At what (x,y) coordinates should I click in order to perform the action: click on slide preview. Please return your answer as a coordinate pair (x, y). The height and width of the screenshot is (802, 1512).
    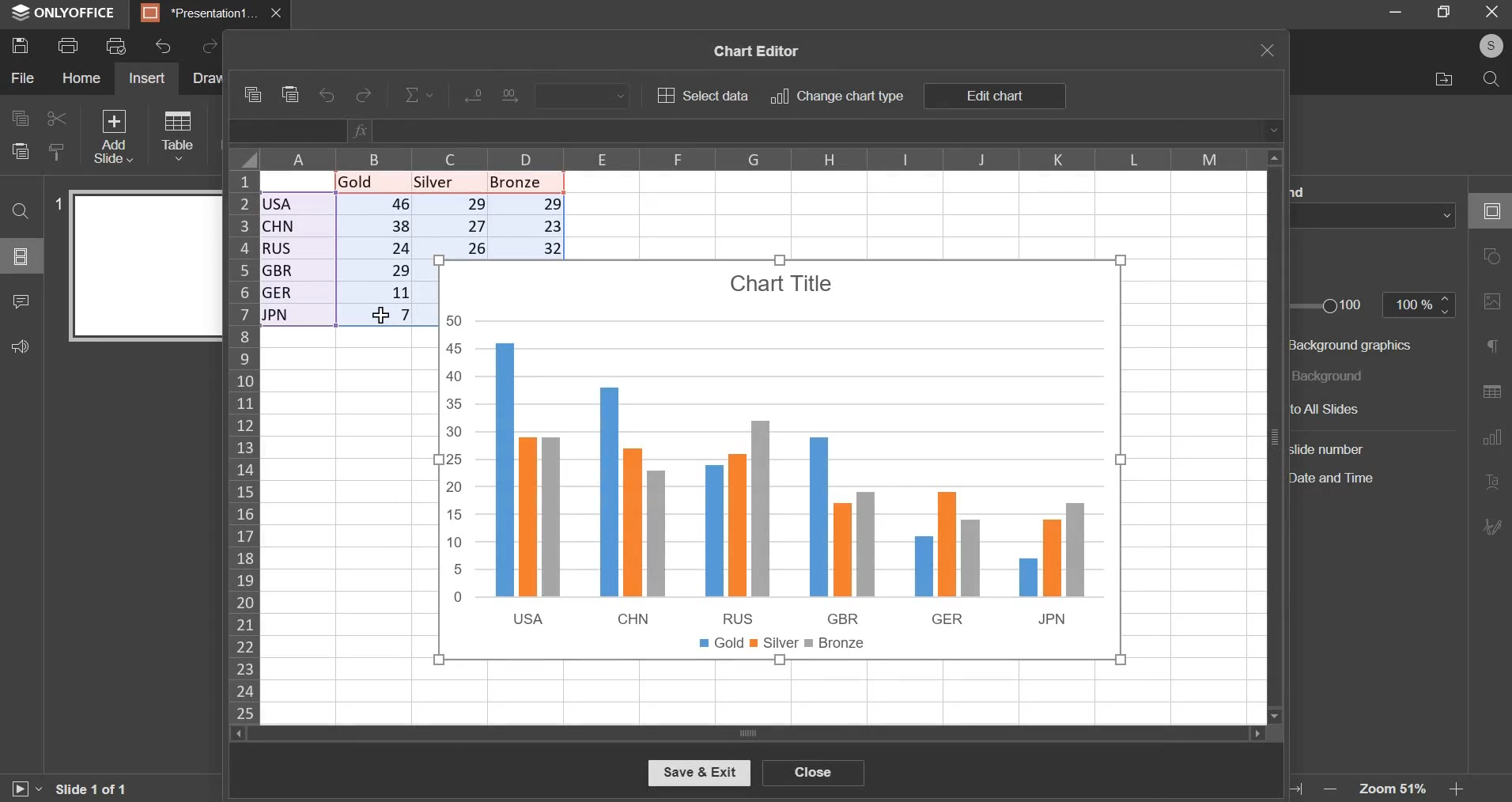
    Looking at the image, I should click on (143, 265).